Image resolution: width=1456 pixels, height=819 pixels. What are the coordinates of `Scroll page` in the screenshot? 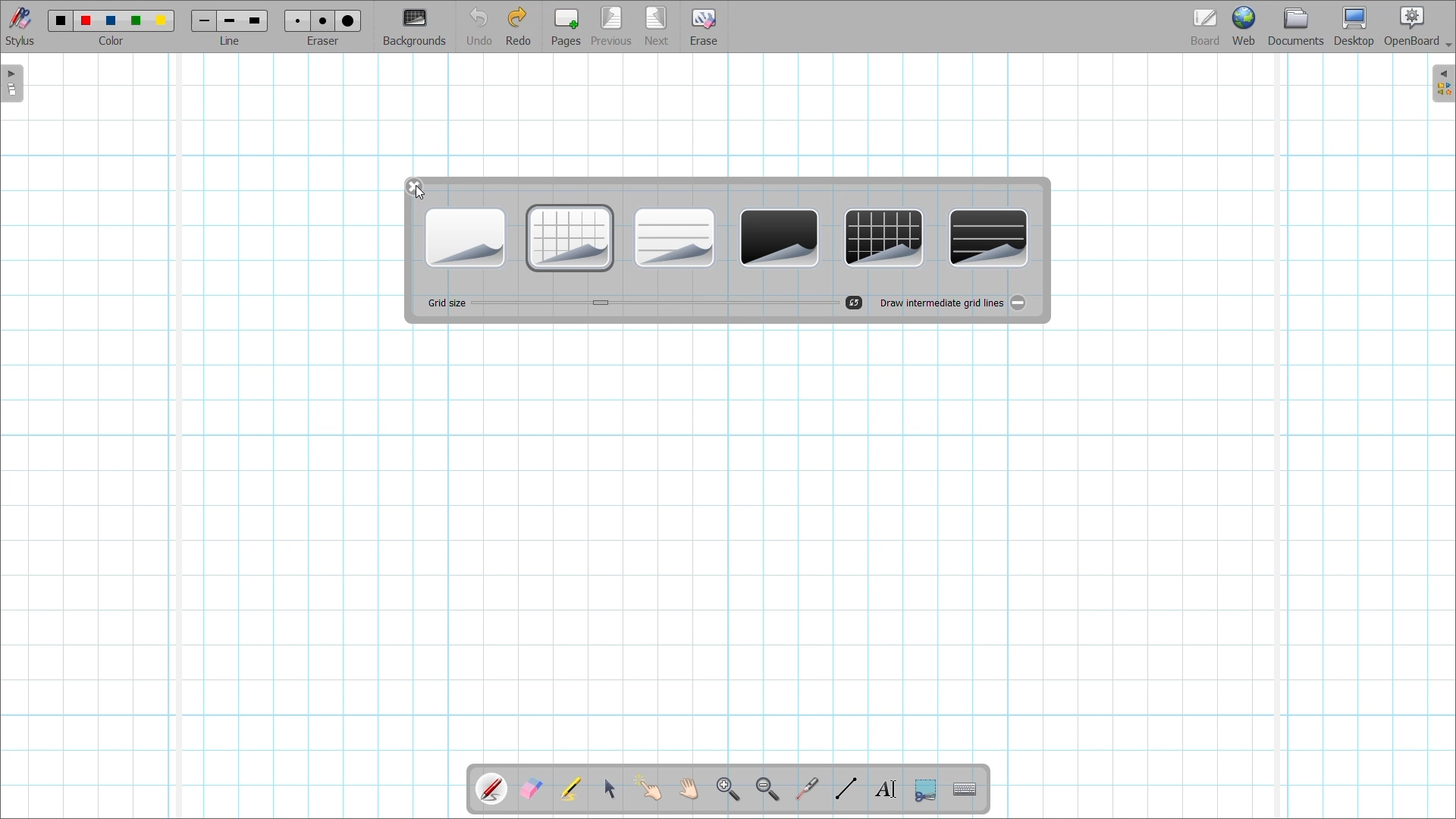 It's located at (689, 789).